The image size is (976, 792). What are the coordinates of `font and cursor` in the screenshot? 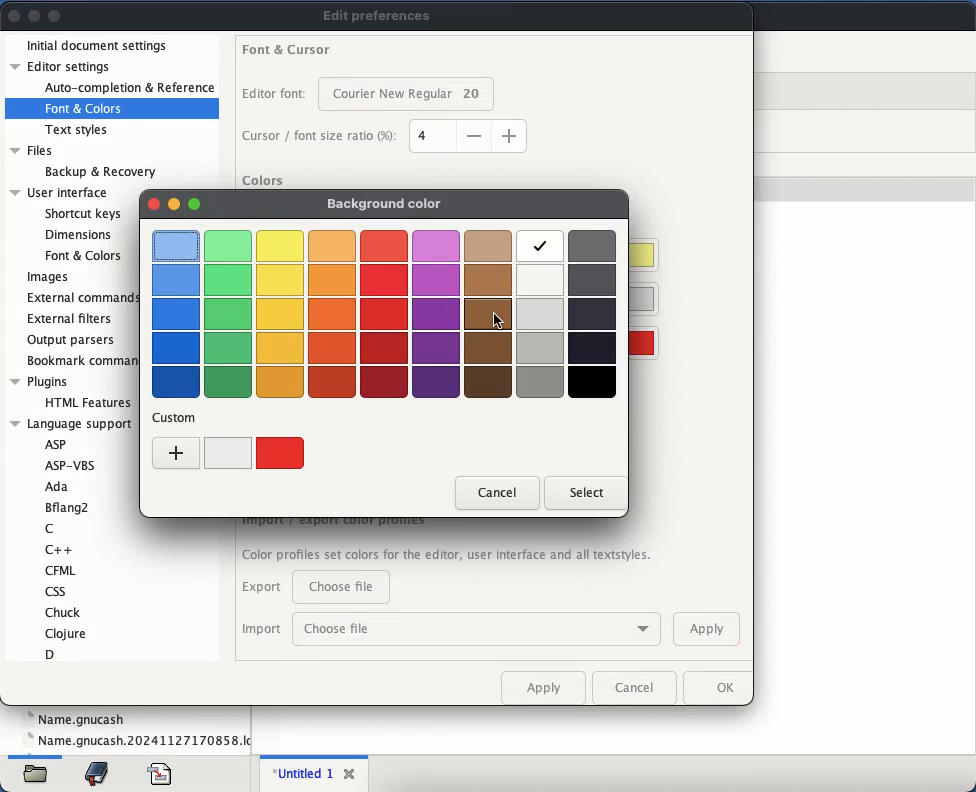 It's located at (289, 47).